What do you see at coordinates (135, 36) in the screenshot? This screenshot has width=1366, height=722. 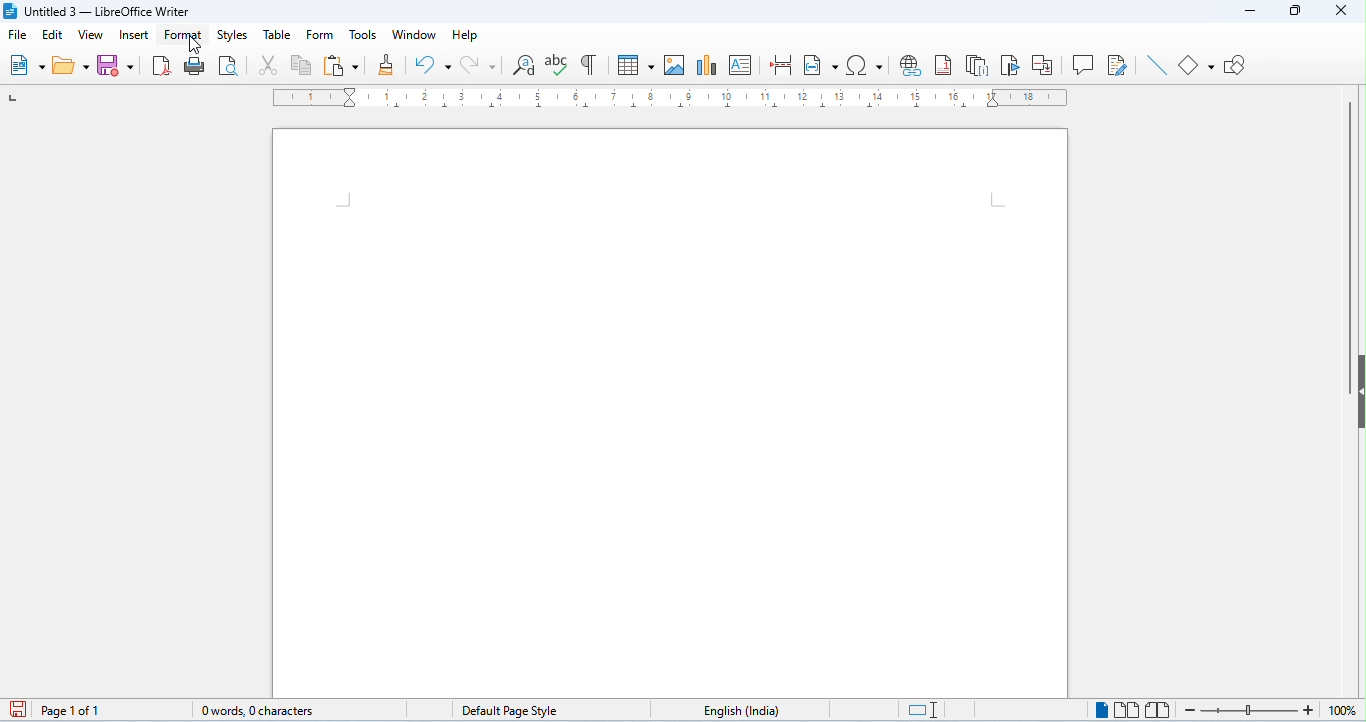 I see `insert` at bounding box center [135, 36].